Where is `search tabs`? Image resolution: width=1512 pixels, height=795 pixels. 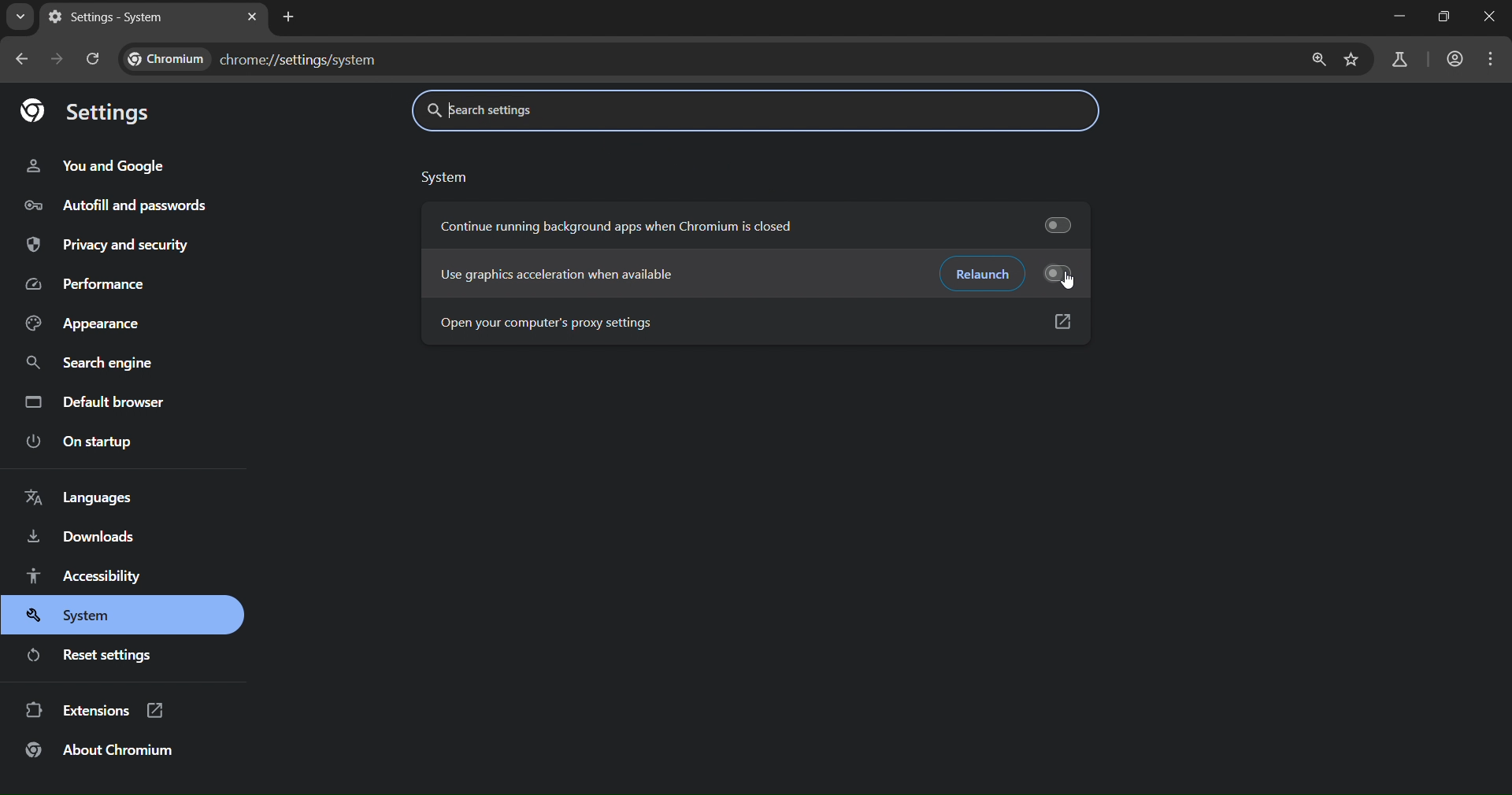
search tabs is located at coordinates (20, 19).